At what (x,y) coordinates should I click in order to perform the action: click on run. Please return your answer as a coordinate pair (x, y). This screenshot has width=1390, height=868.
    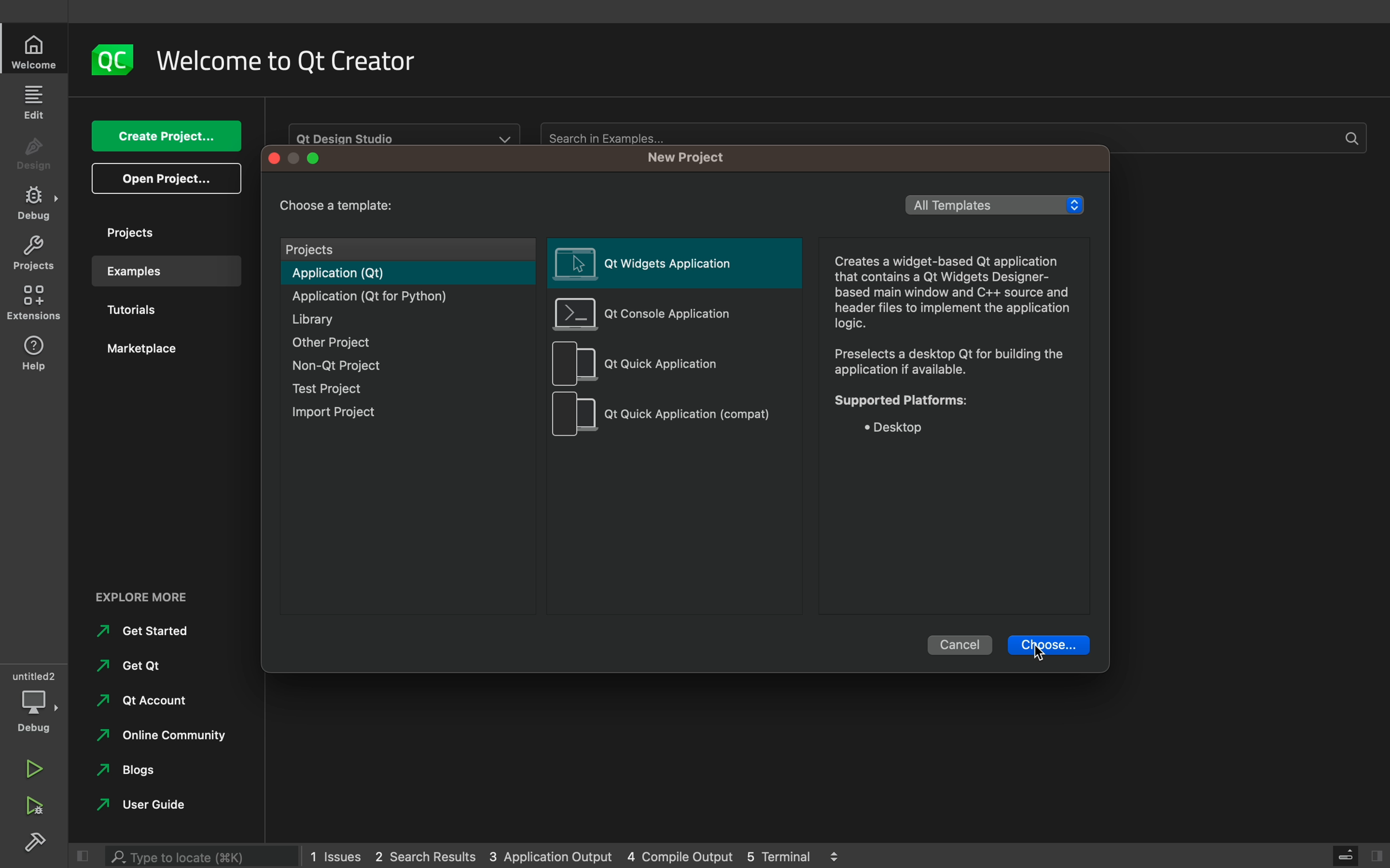
    Looking at the image, I should click on (34, 764).